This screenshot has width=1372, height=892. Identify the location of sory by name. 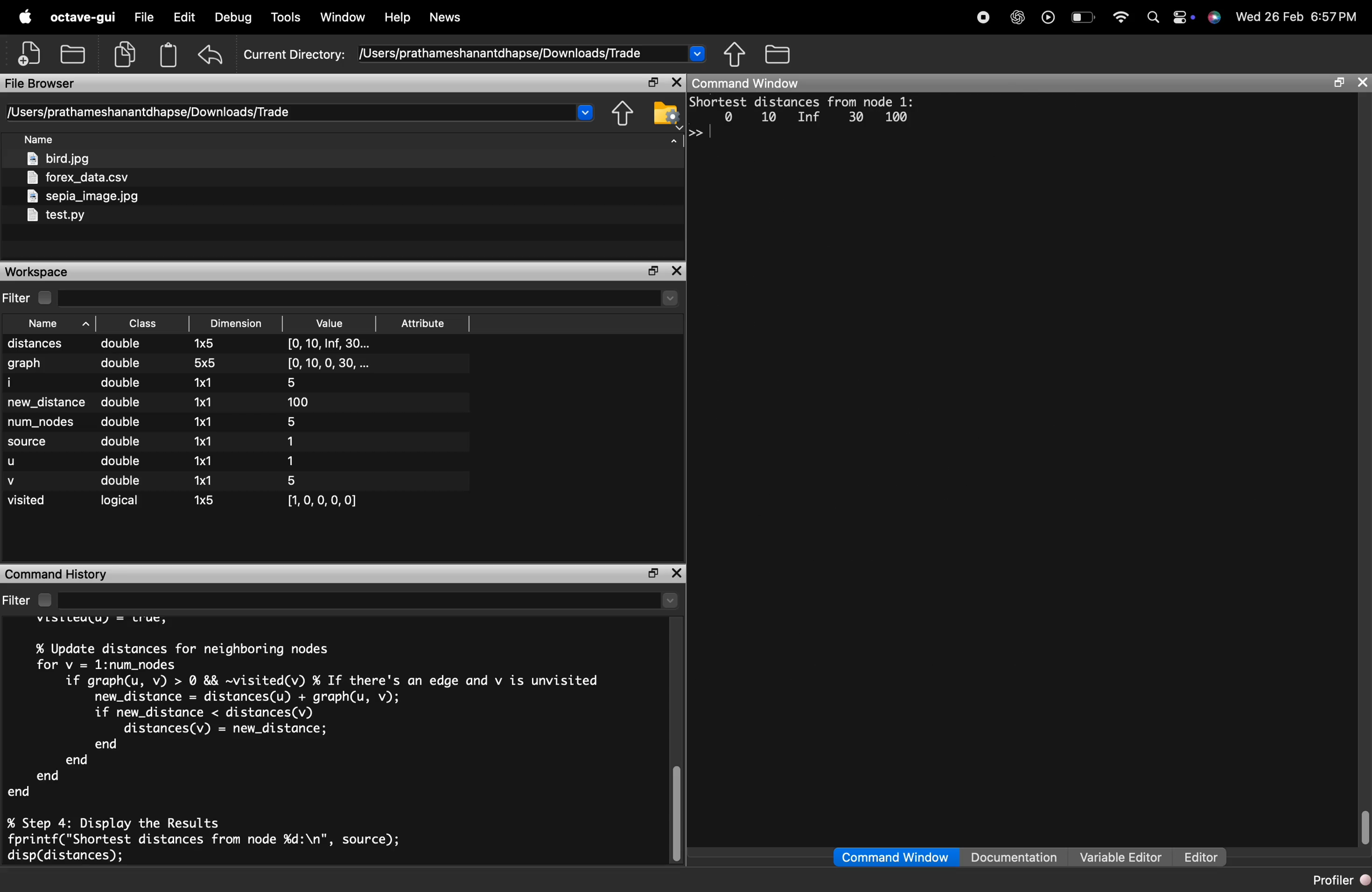
(61, 324).